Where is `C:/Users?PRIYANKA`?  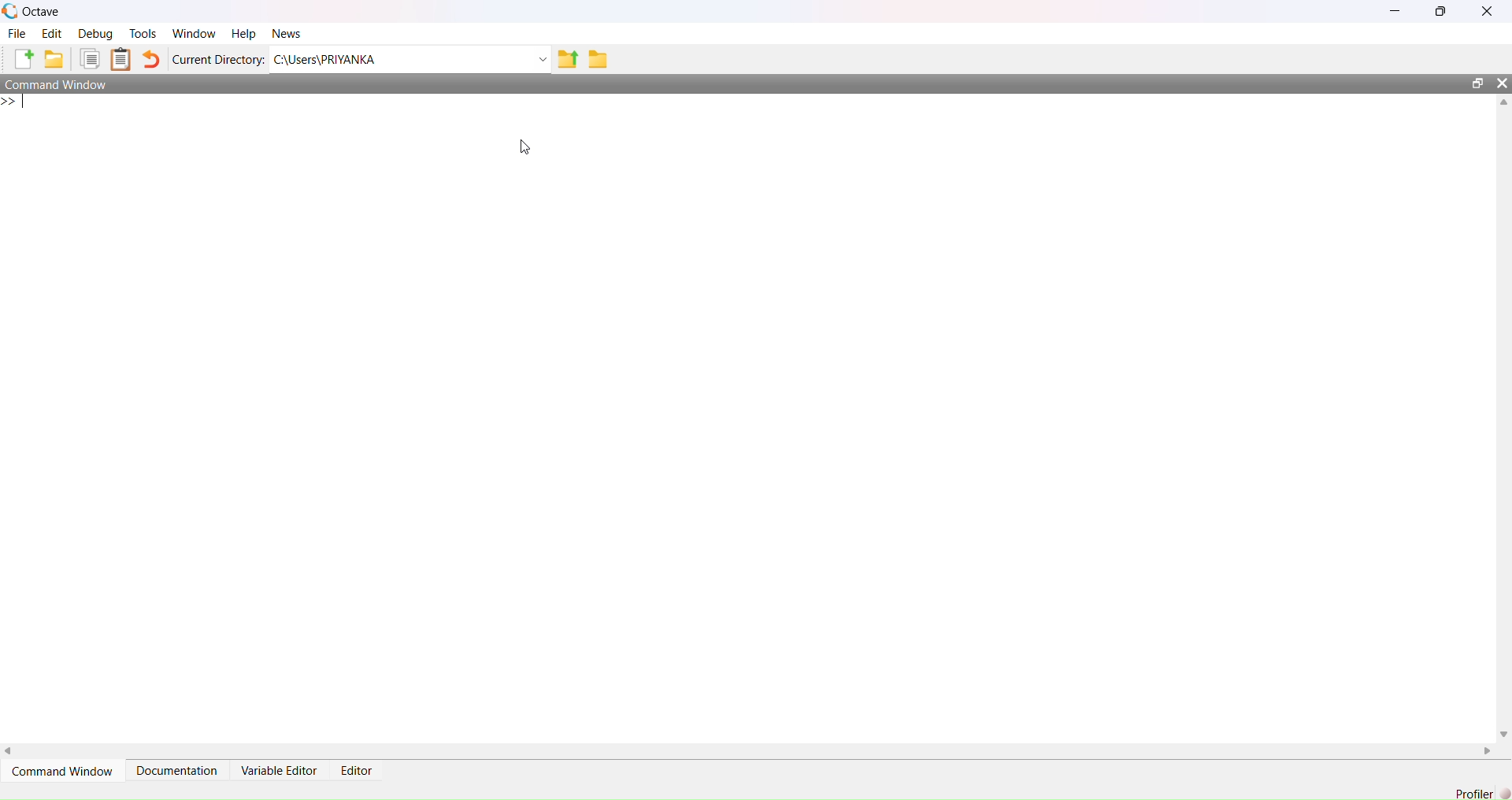 C:/Users?PRIYANKA is located at coordinates (400, 59).